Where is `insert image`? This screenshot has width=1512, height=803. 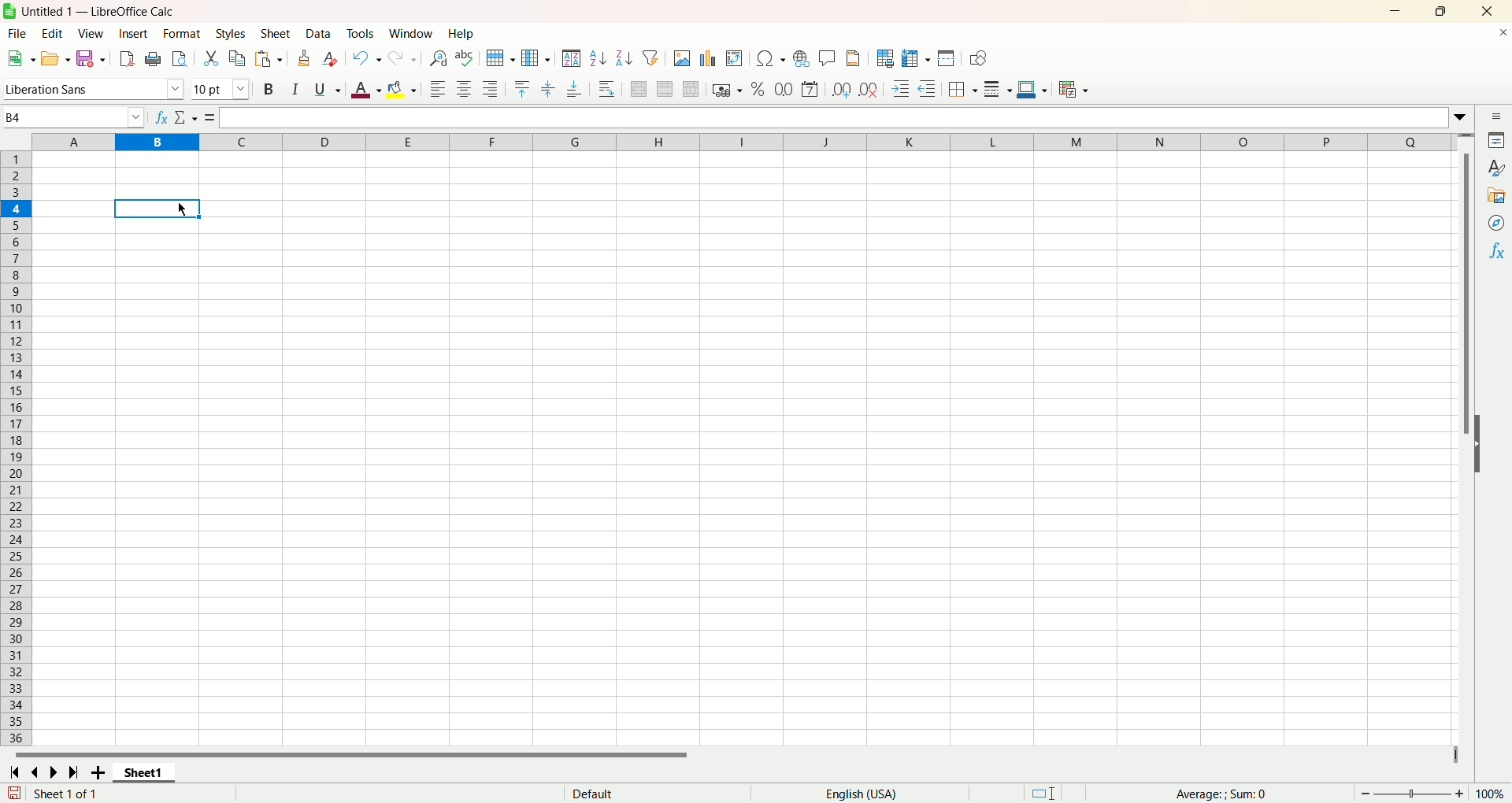
insert image is located at coordinates (735, 60).